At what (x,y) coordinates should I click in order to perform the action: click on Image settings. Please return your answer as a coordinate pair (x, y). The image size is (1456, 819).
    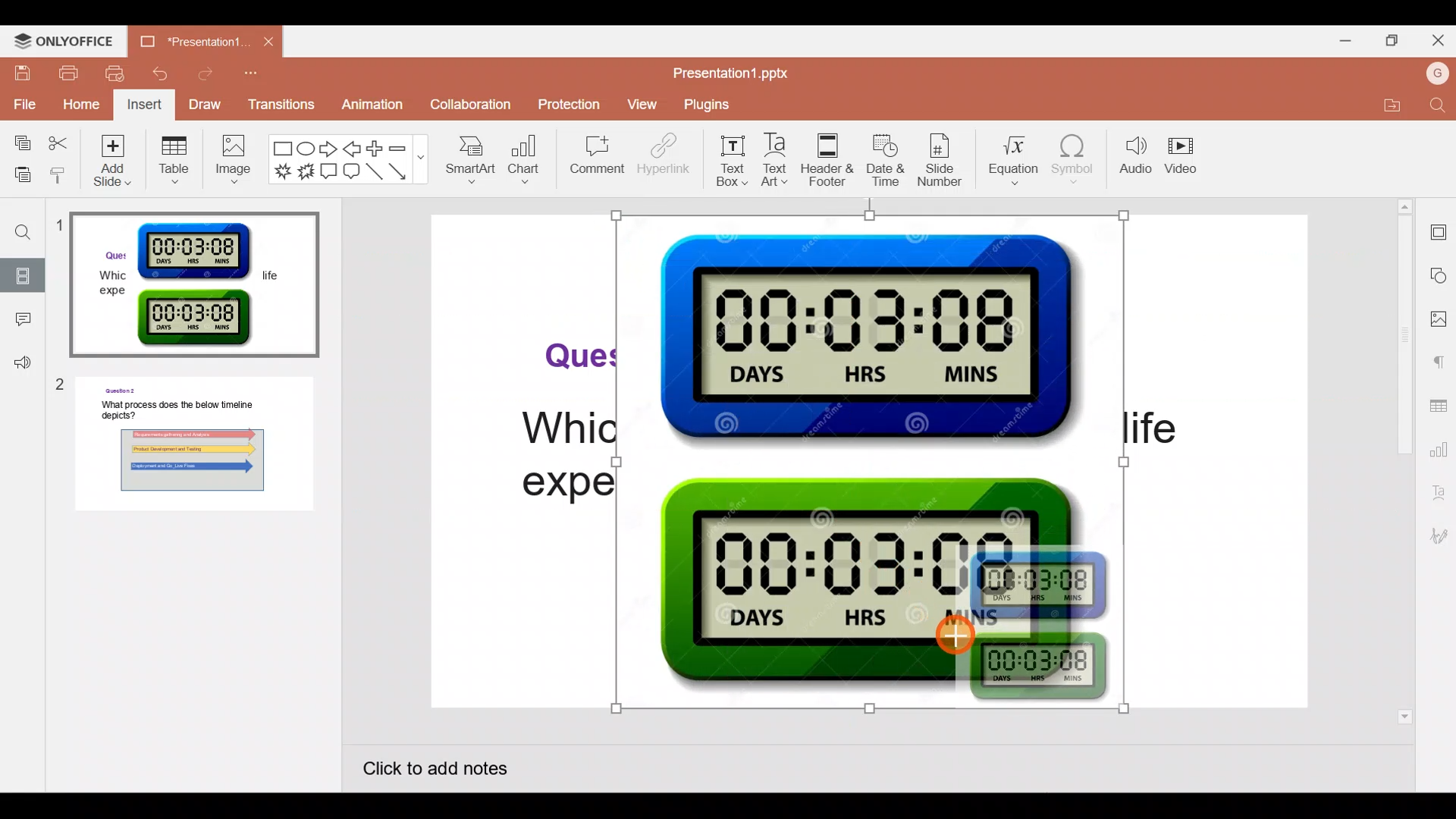
    Looking at the image, I should click on (1441, 321).